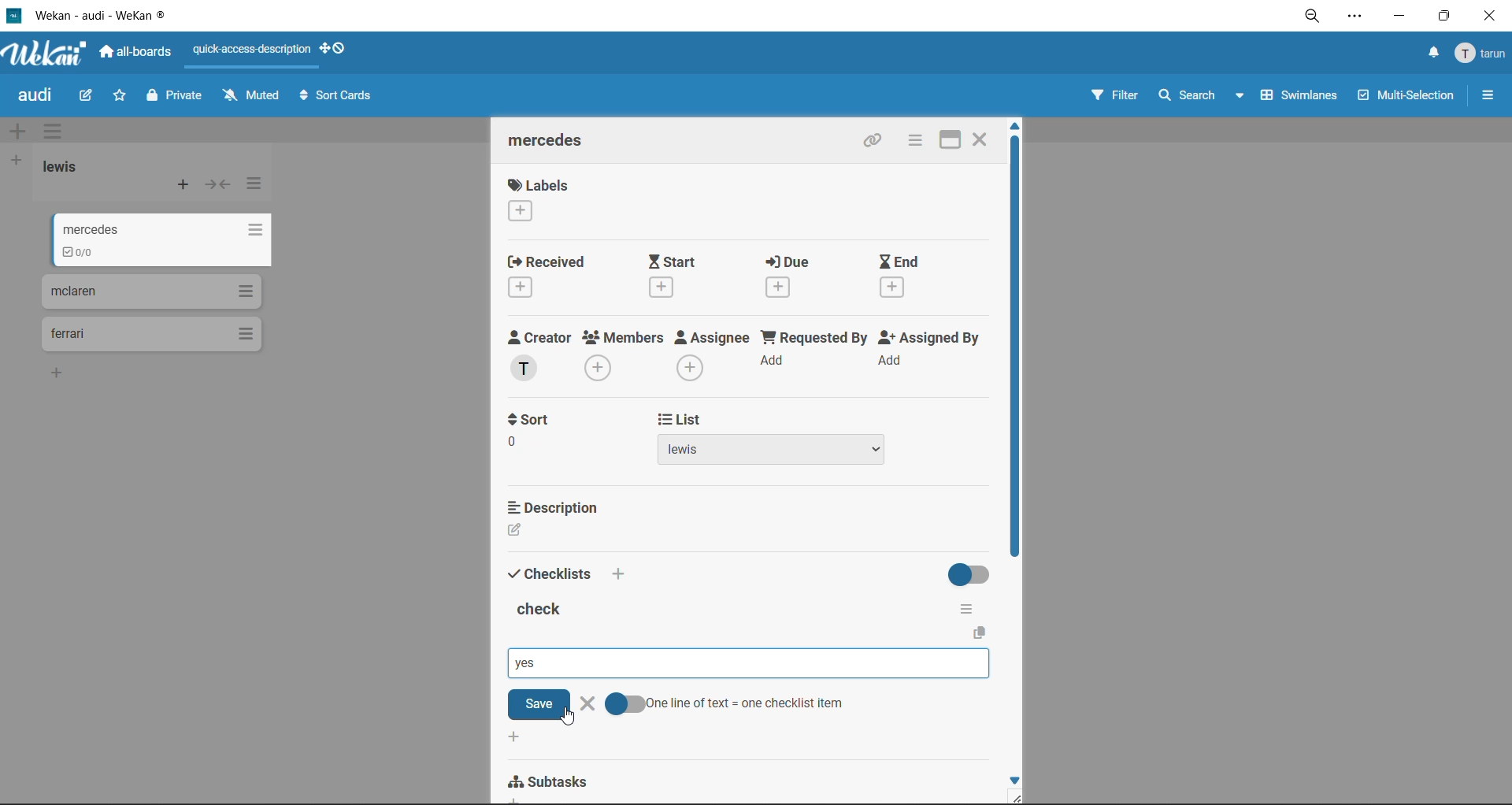  I want to click on 0/0, so click(150, 254).